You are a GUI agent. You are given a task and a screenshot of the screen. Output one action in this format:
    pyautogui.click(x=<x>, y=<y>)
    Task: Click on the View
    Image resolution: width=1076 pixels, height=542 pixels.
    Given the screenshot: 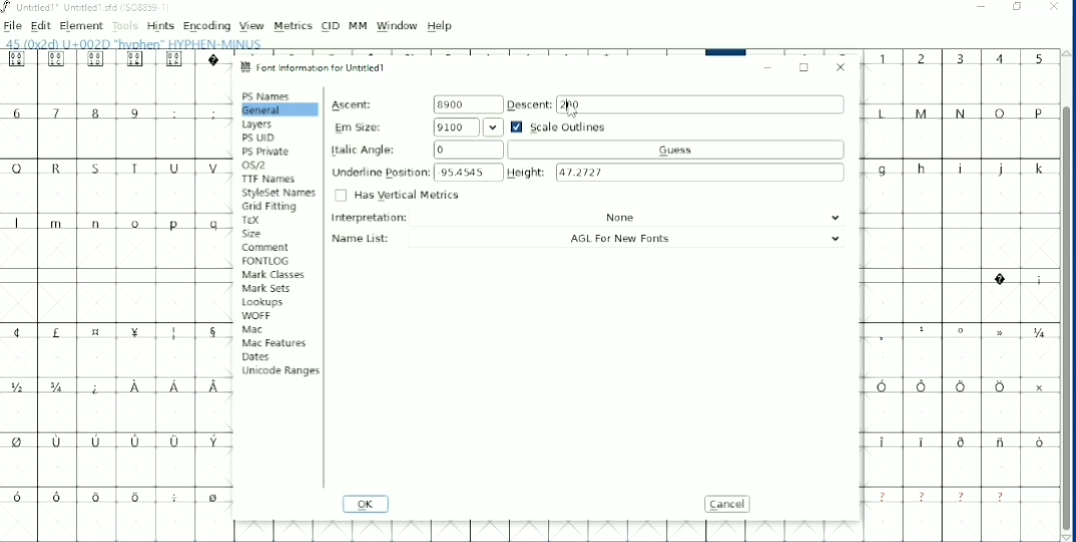 What is the action you would take?
    pyautogui.click(x=252, y=26)
    